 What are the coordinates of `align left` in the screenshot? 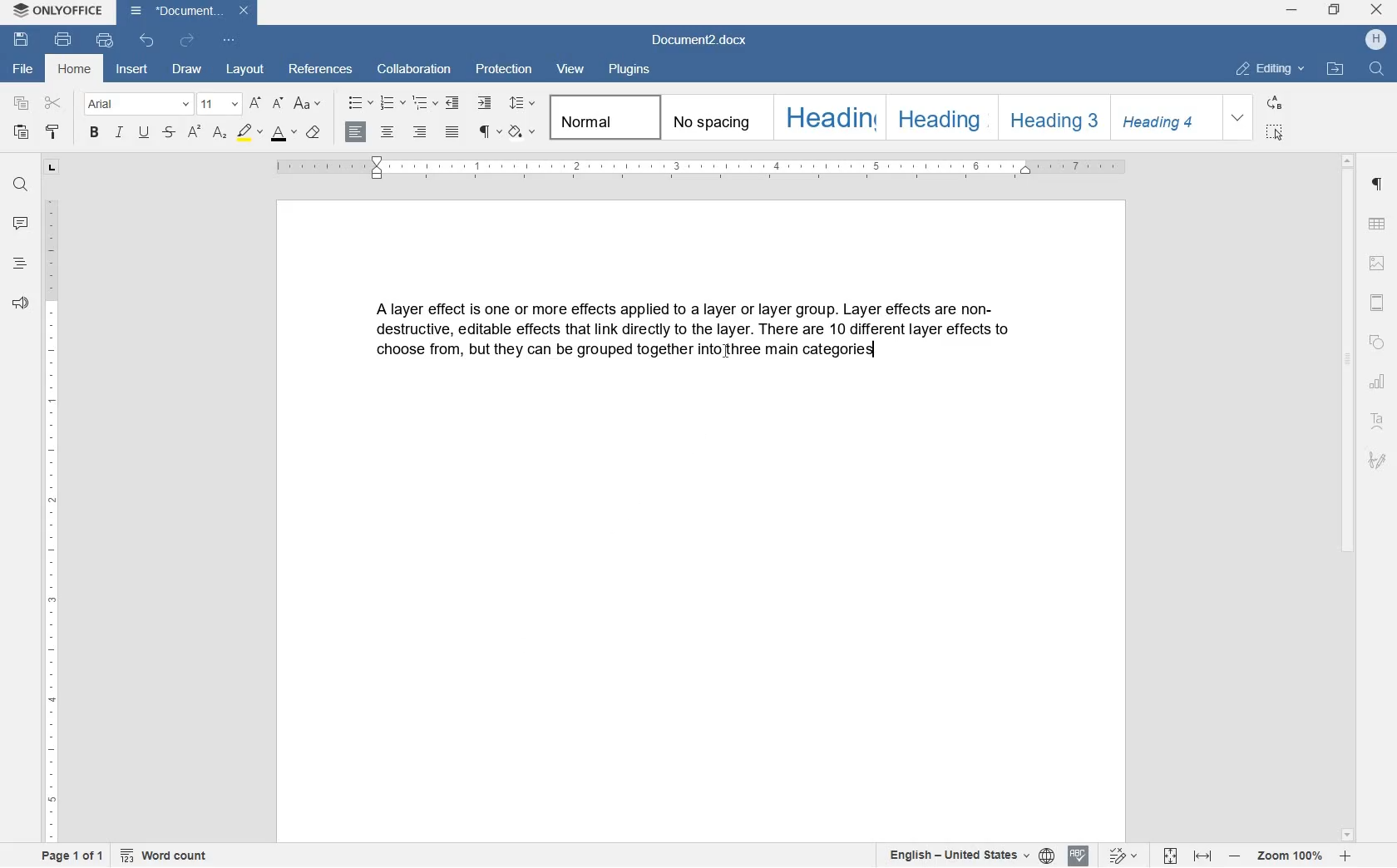 It's located at (357, 133).